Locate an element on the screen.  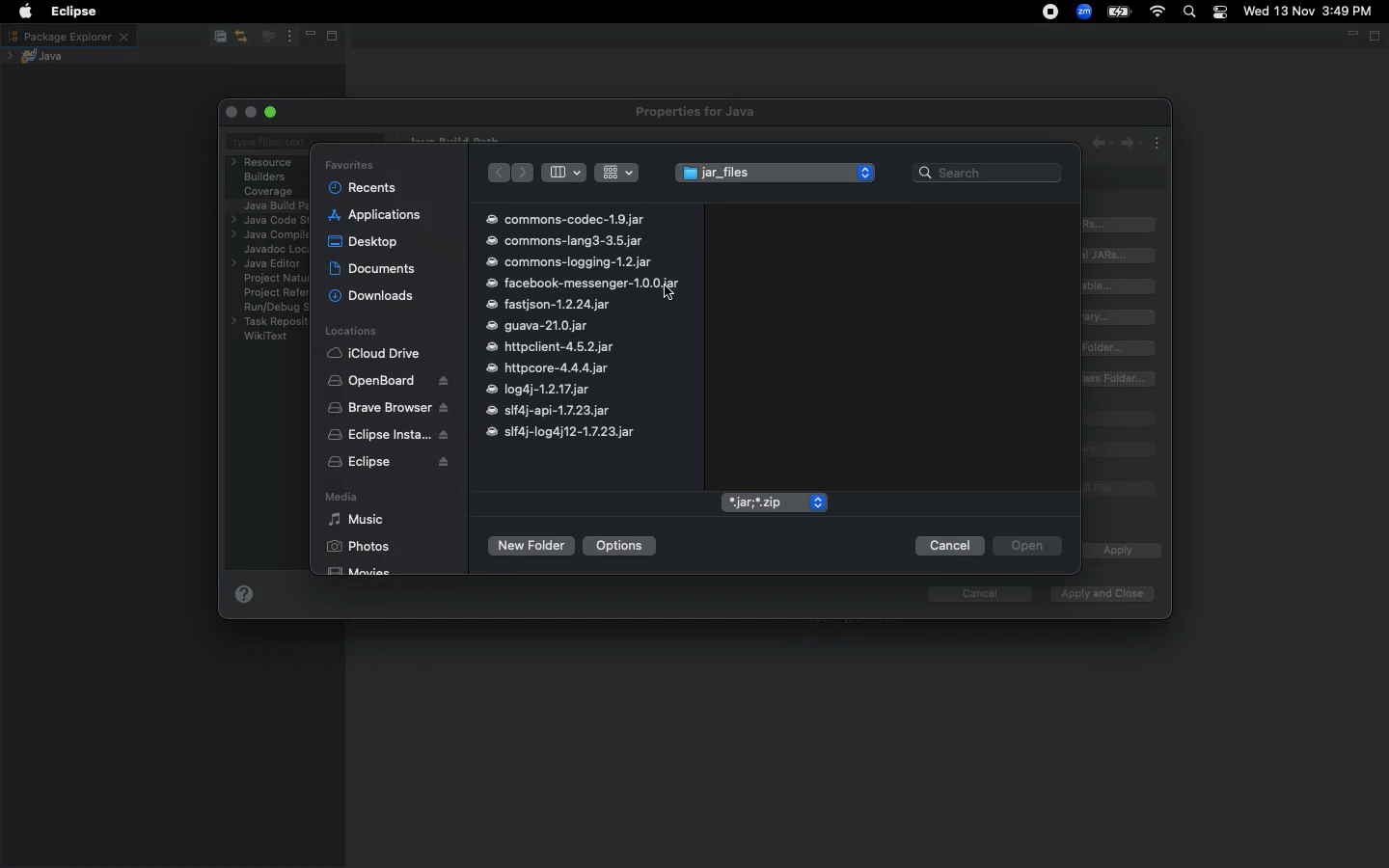
Apply is located at coordinates (1116, 552).